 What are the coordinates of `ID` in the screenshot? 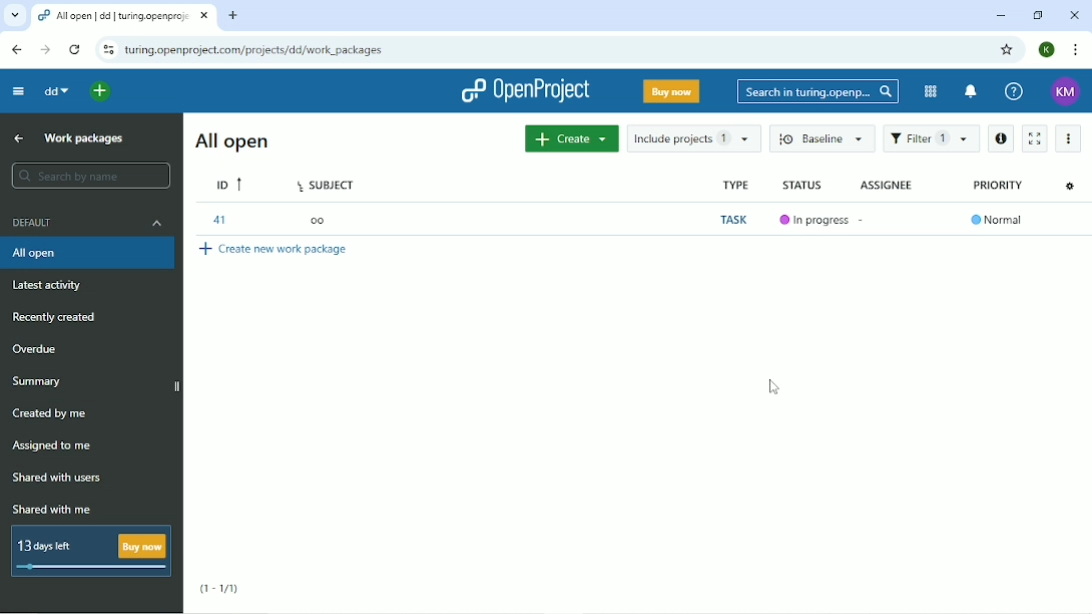 It's located at (230, 184).